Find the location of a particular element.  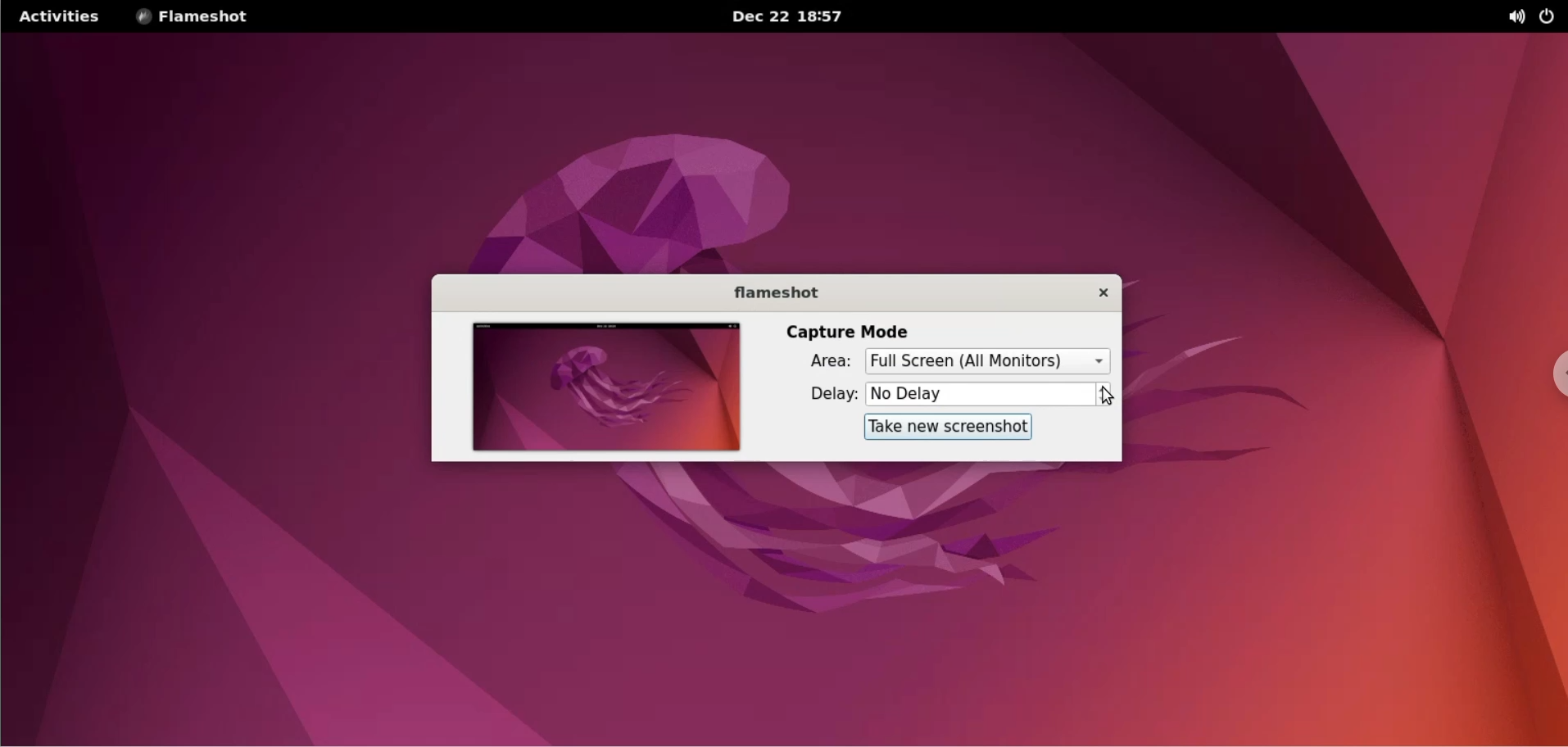

sound options is located at coordinates (1519, 16).